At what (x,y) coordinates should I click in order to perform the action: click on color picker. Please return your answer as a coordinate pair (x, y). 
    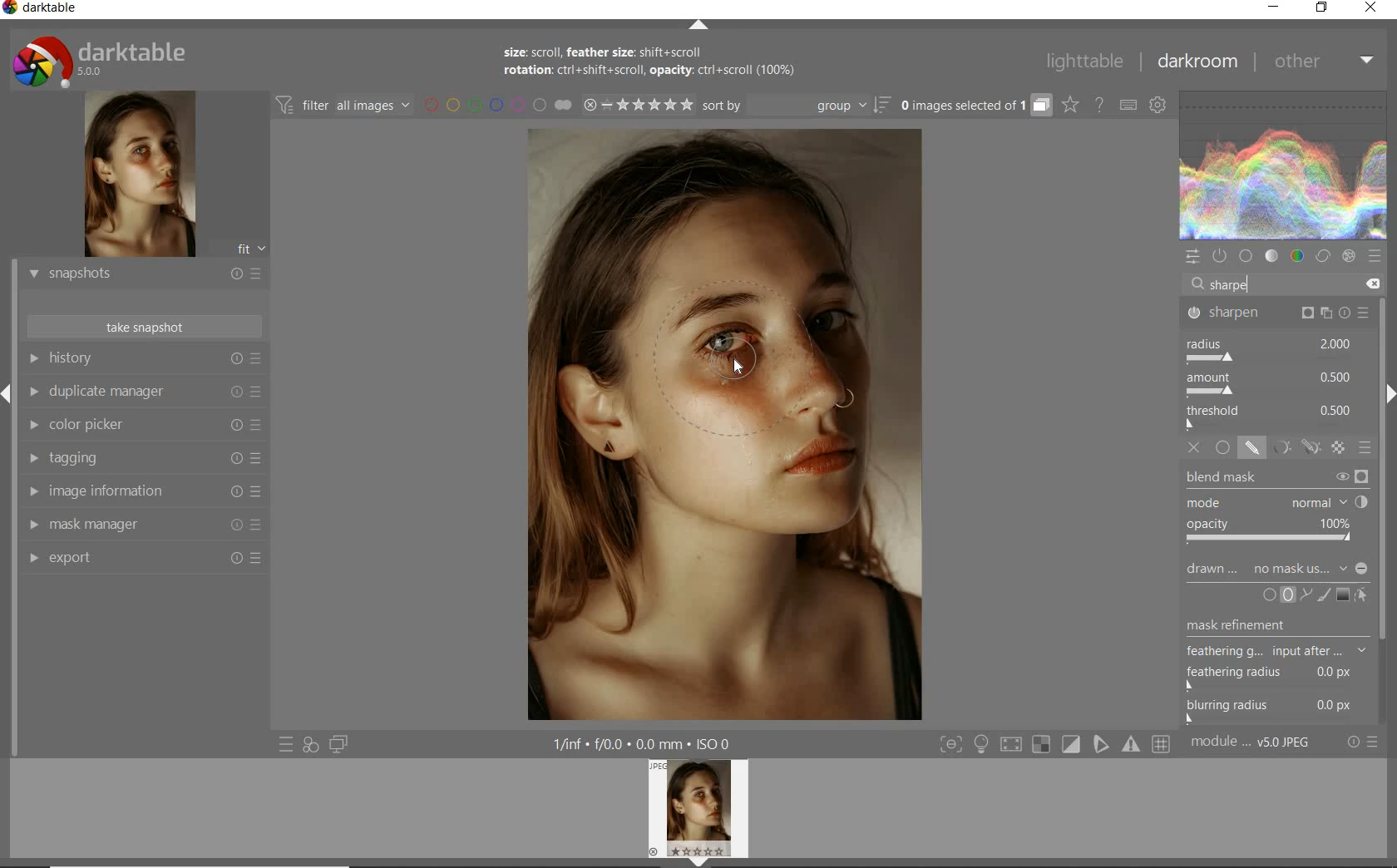
    Looking at the image, I should click on (144, 427).